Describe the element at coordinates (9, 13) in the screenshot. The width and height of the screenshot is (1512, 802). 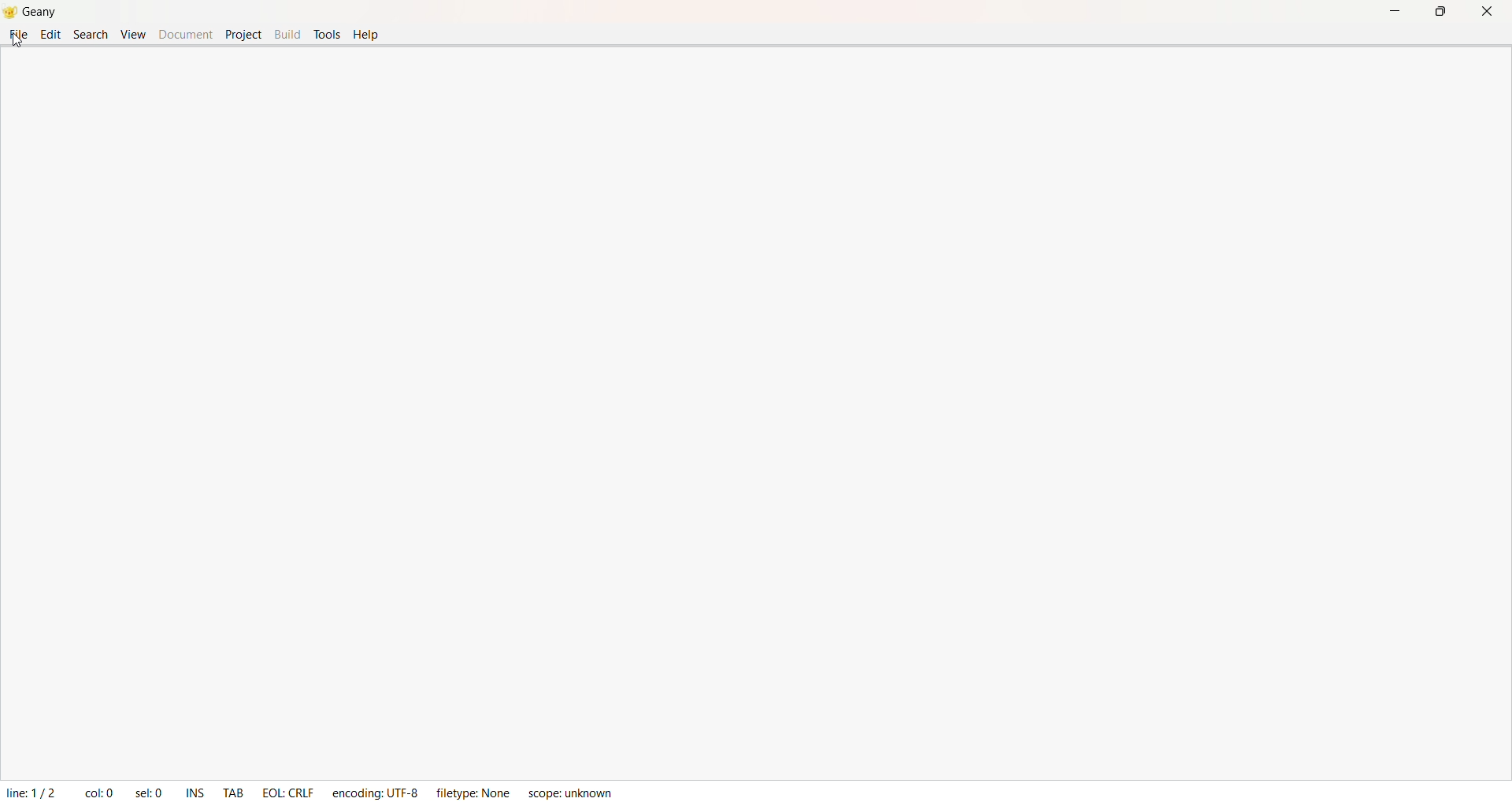
I see `Logo` at that location.